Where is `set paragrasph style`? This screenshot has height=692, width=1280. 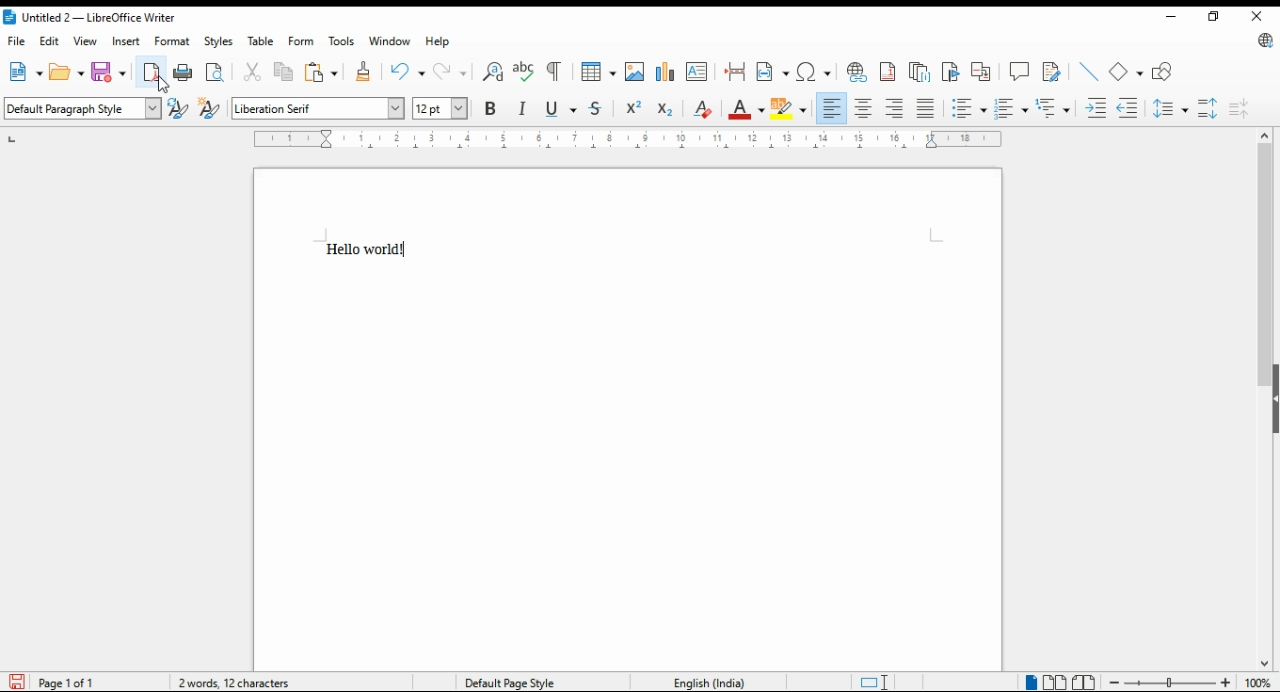 set paragrasph style is located at coordinates (84, 107).